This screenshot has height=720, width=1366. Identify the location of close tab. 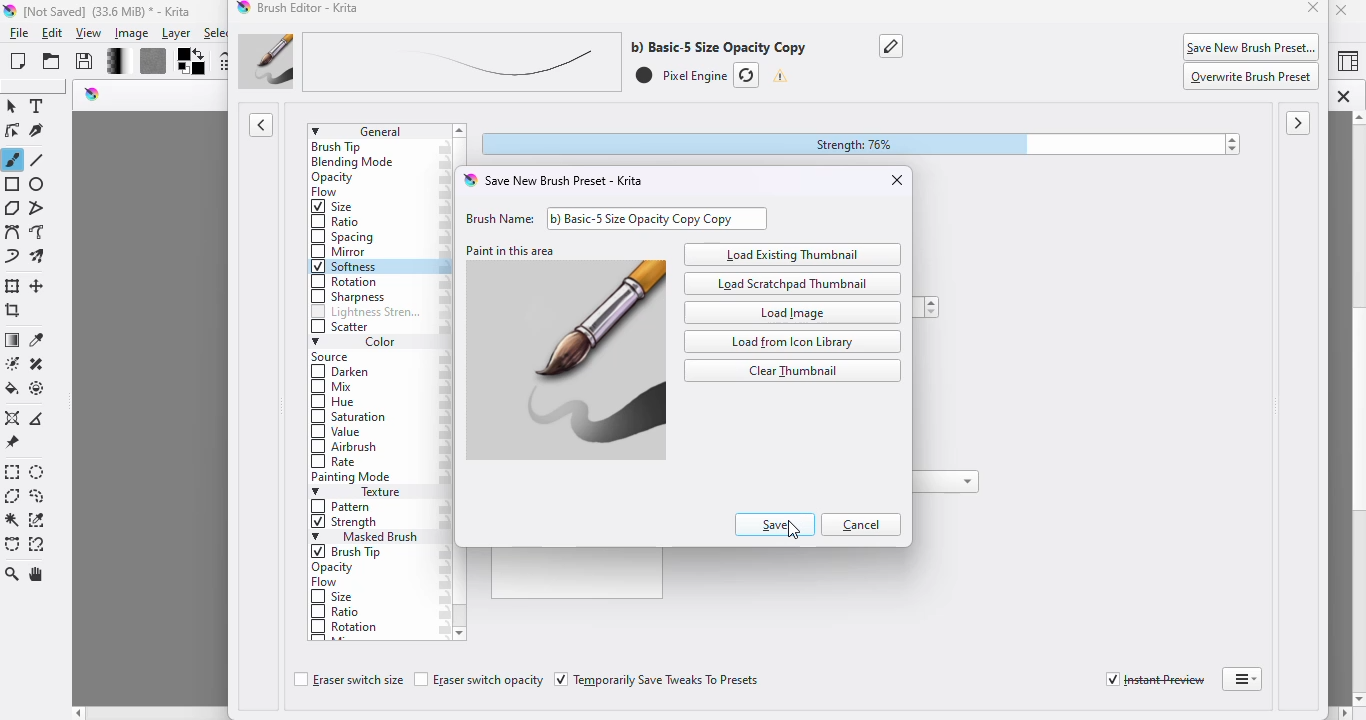
(1343, 96).